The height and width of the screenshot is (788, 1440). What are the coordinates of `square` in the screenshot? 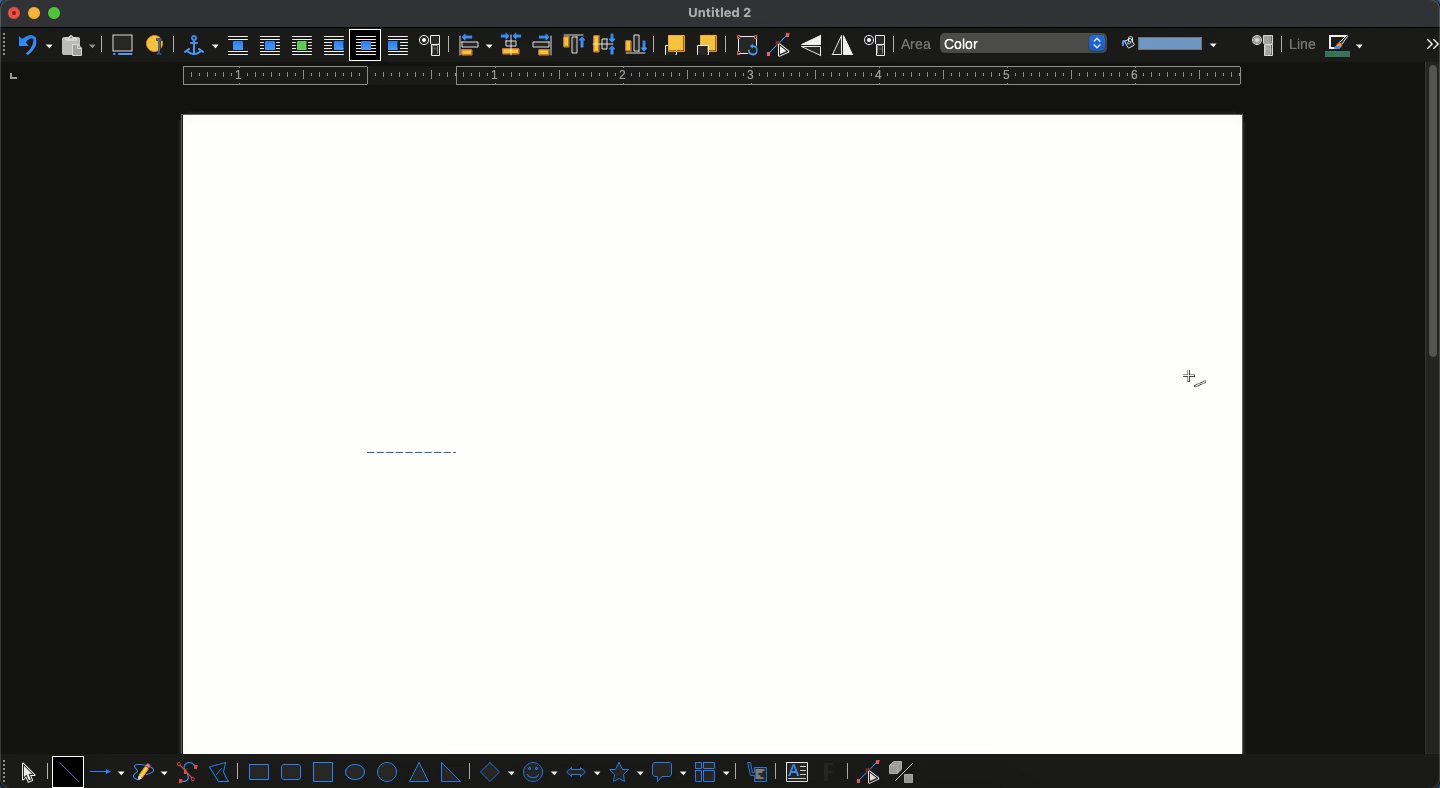 It's located at (323, 770).